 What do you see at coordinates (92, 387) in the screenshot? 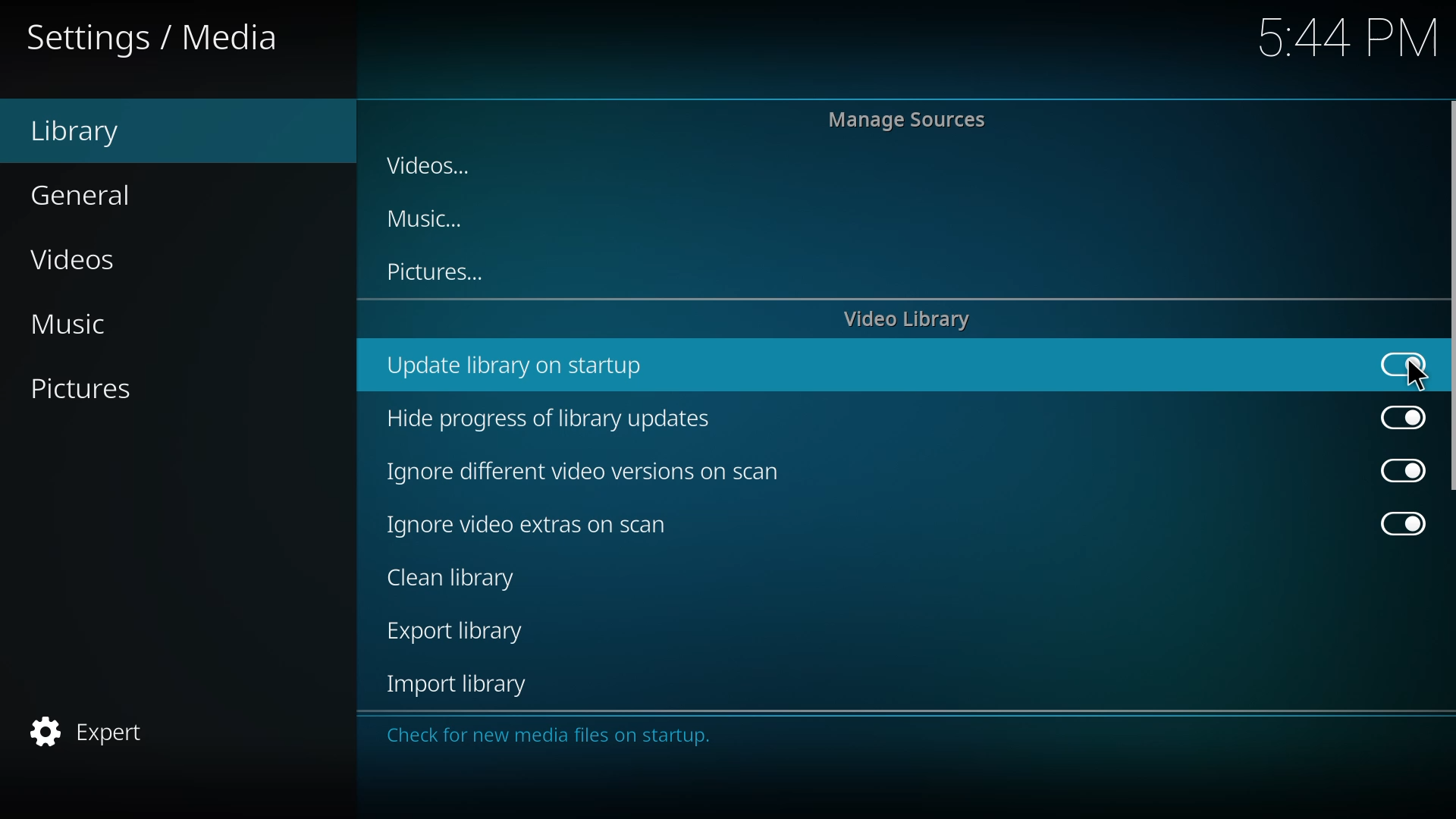
I see `pictures` at bounding box center [92, 387].